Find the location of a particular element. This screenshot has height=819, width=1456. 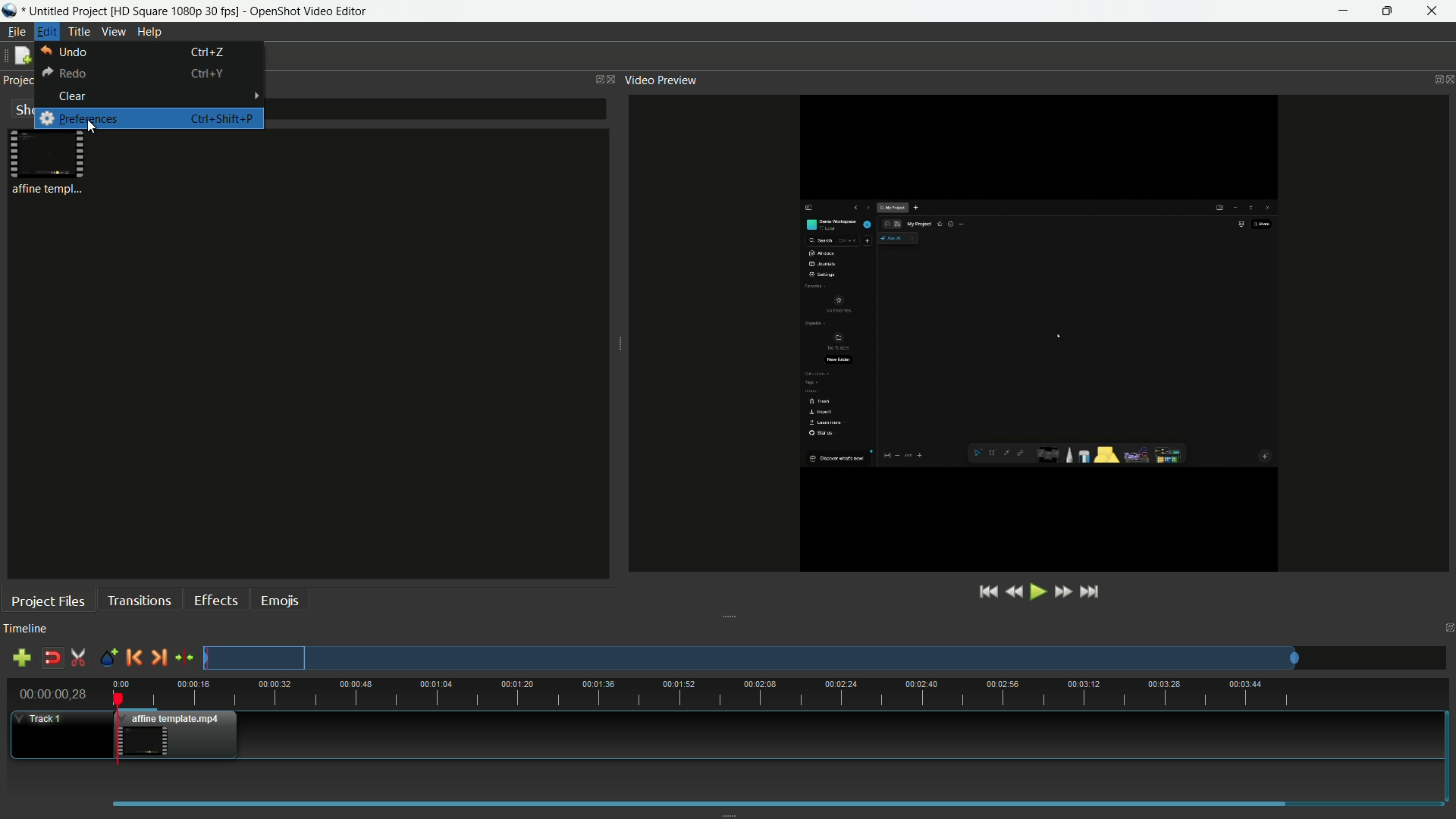

app icon is located at coordinates (11, 12).